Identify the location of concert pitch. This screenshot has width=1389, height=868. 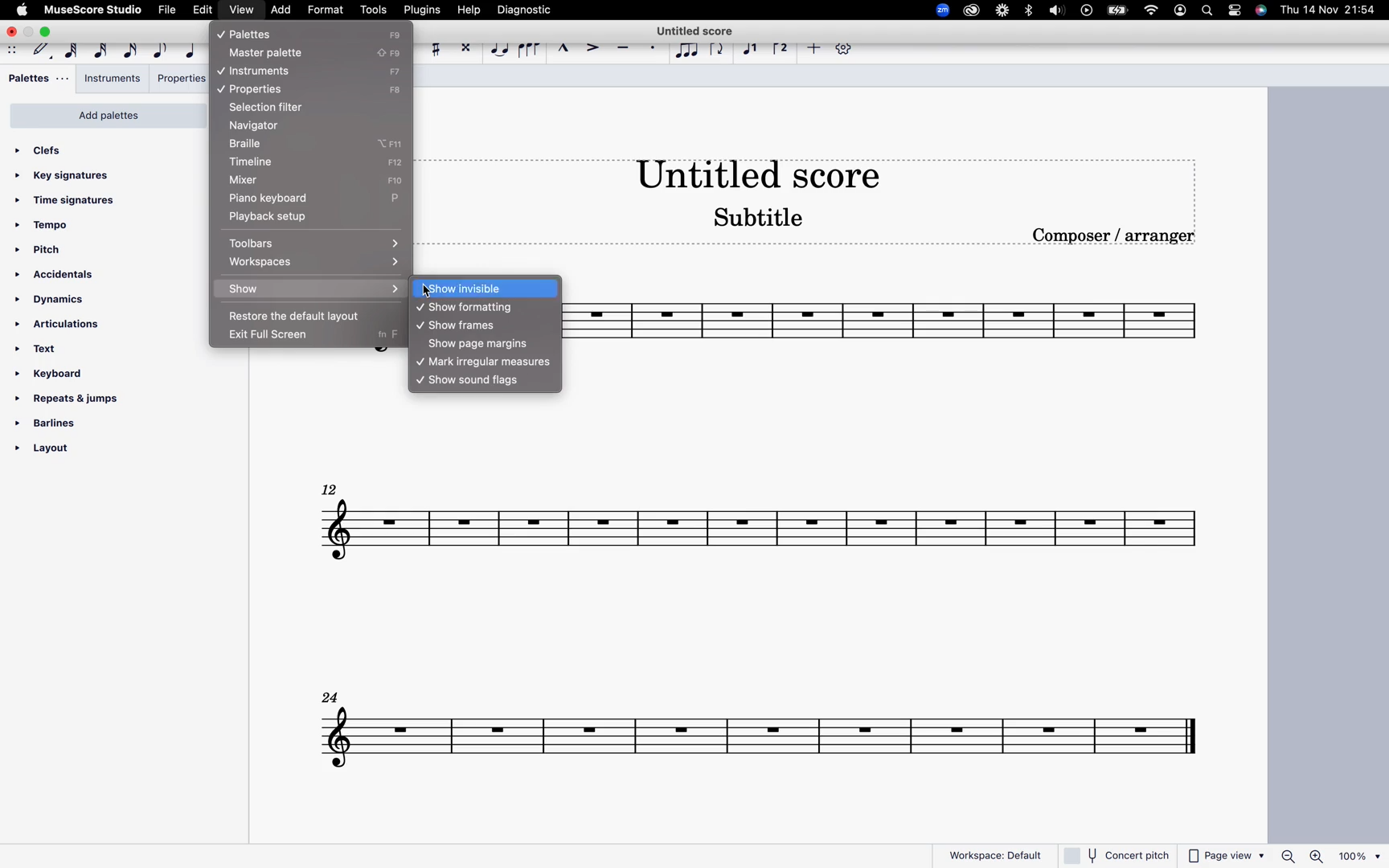
(1117, 854).